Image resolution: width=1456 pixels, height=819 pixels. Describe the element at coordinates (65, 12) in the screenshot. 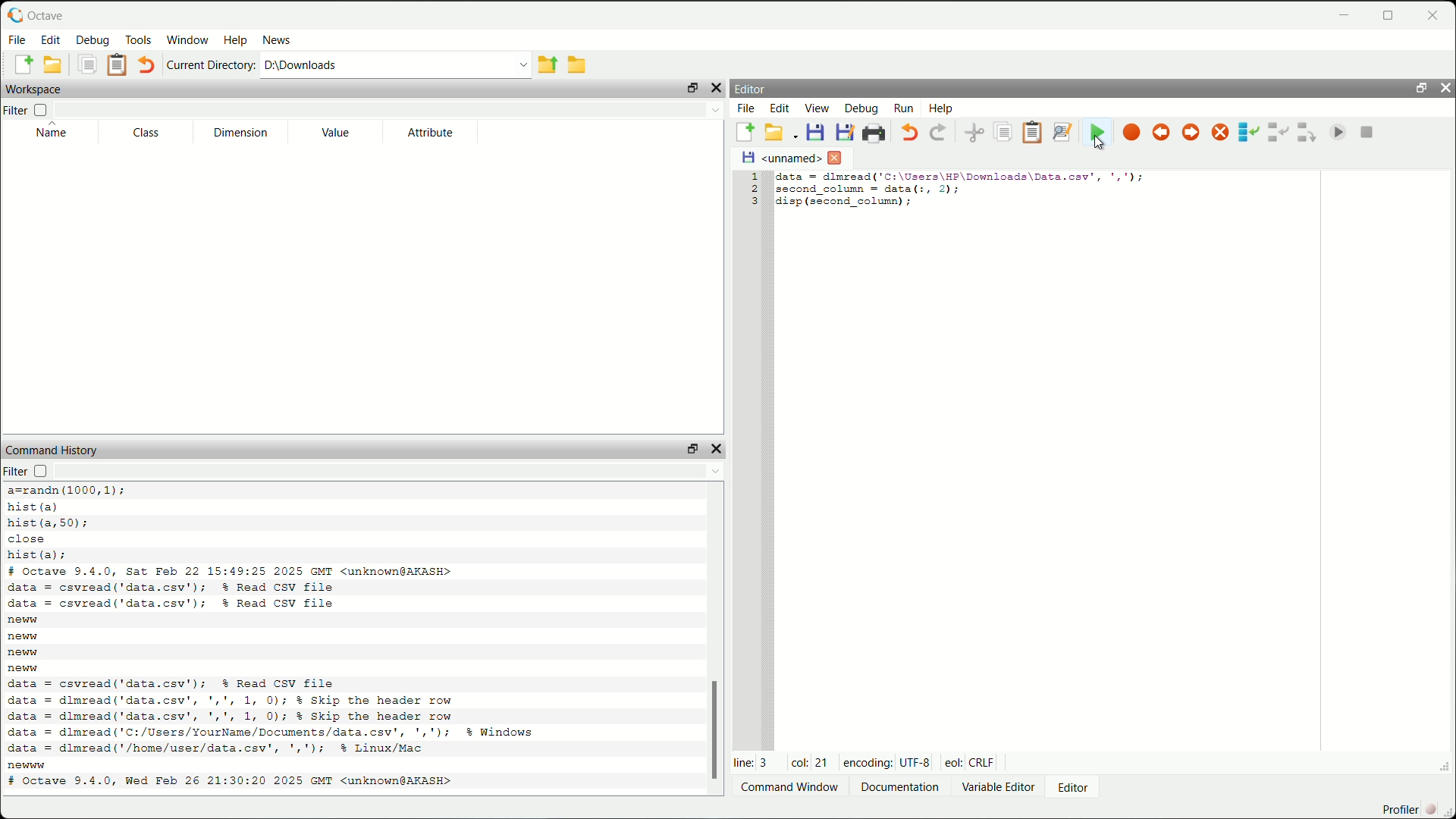

I see `octave` at that location.